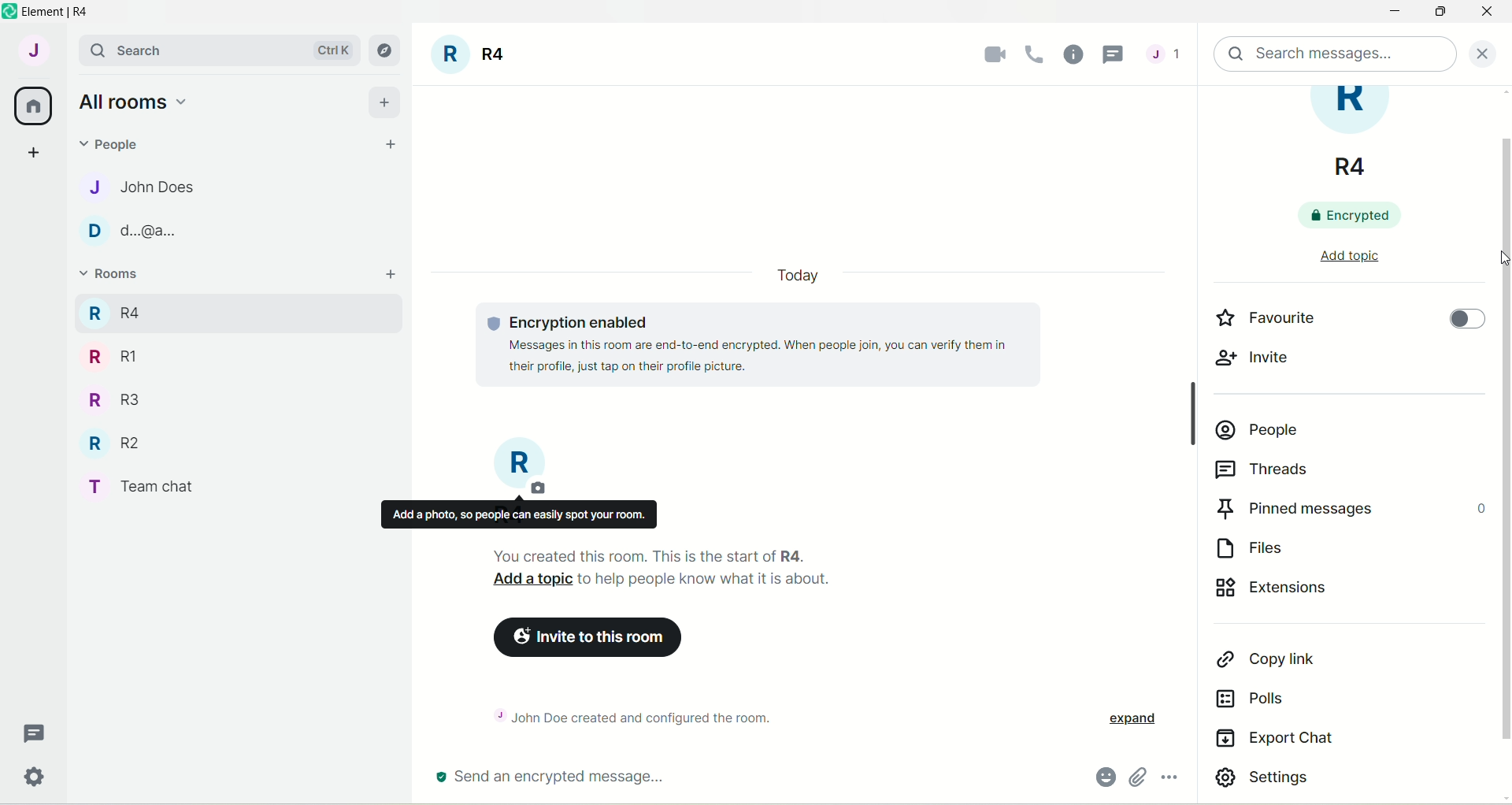 This screenshot has width=1512, height=805. What do you see at coordinates (1164, 57) in the screenshot?
I see `threads` at bounding box center [1164, 57].